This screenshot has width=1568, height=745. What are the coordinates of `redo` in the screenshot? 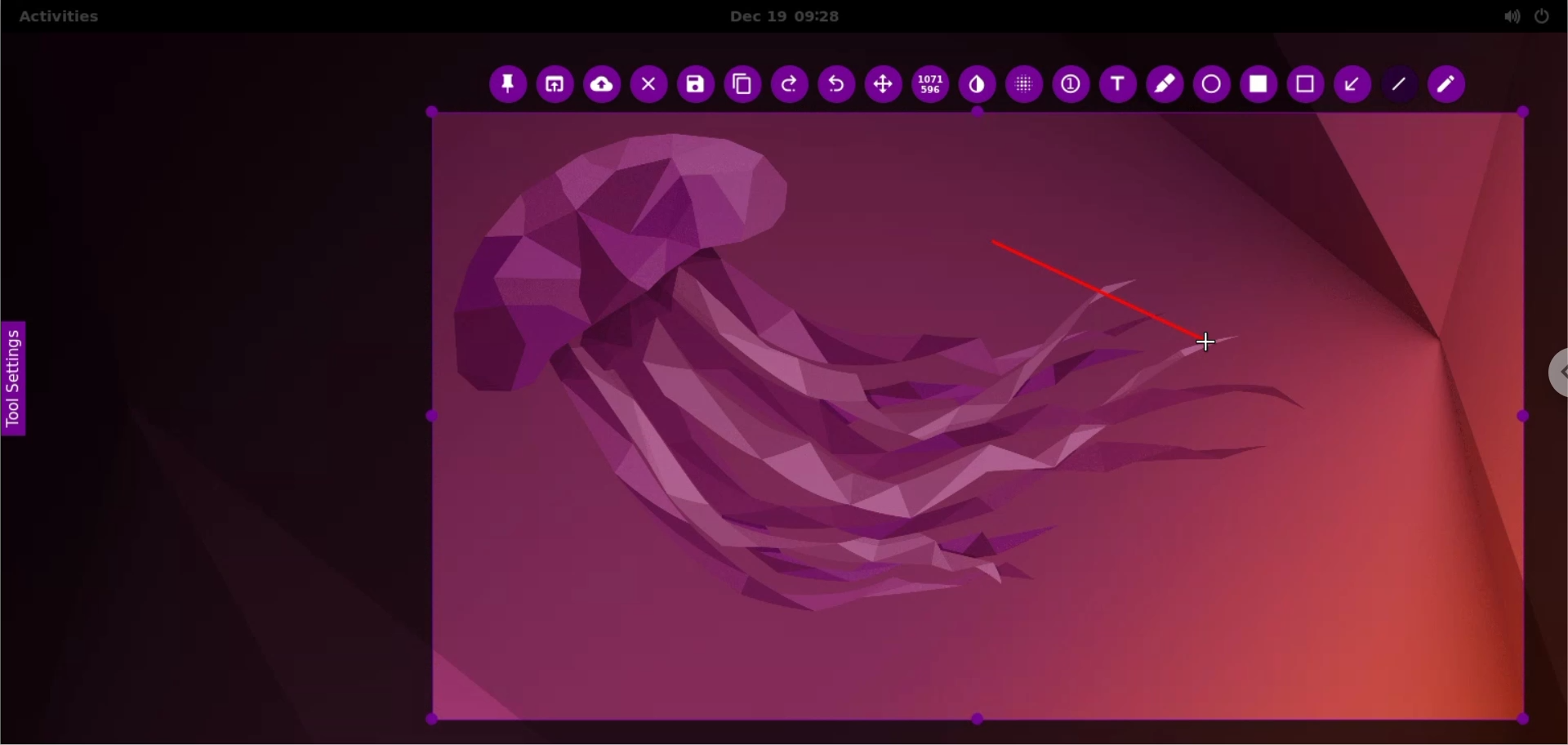 It's located at (793, 85).